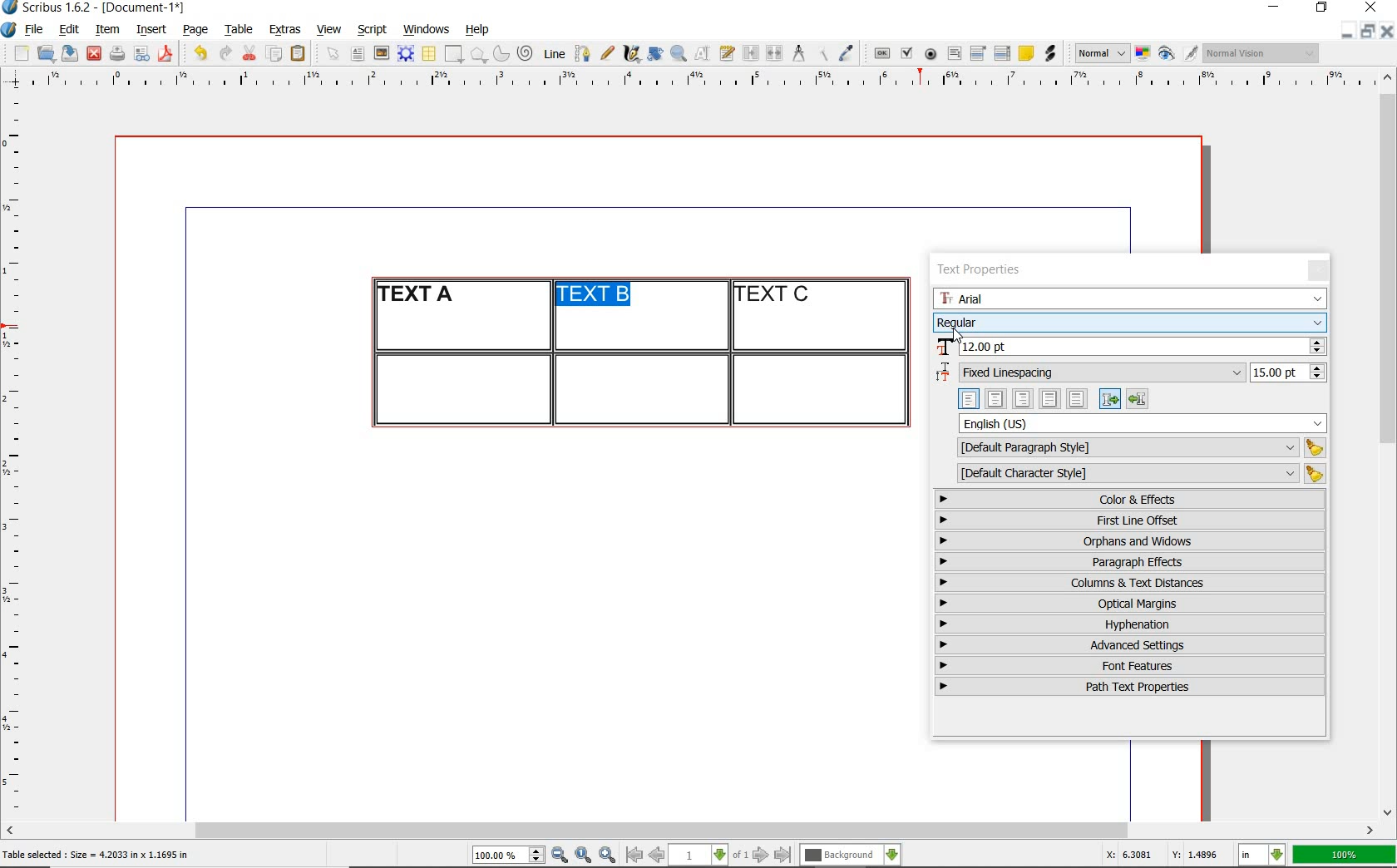  Describe the element at coordinates (978, 272) in the screenshot. I see `text properties` at that location.